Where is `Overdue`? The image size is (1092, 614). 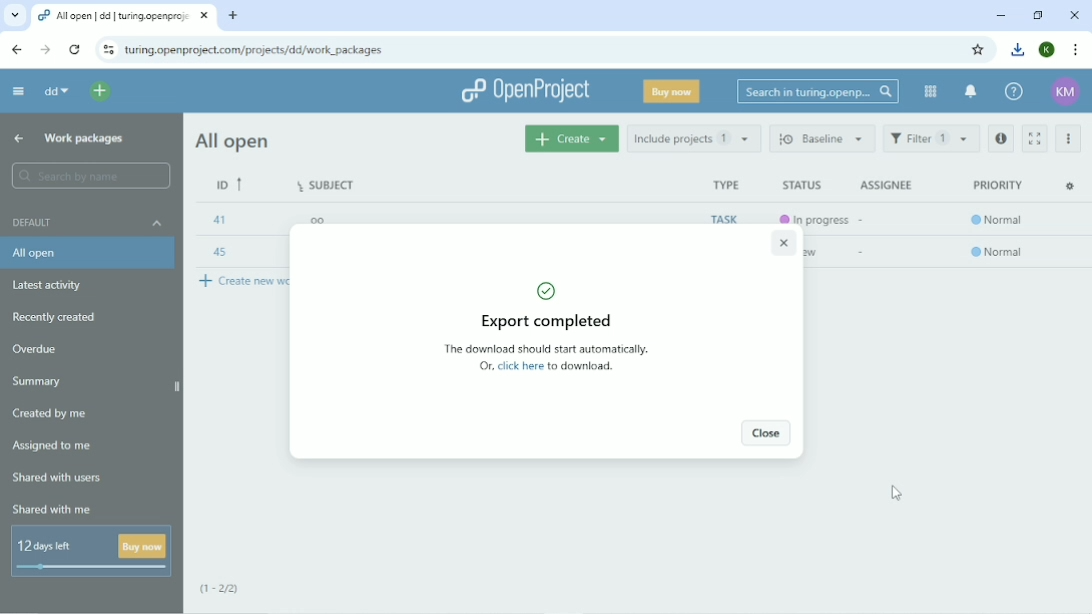 Overdue is located at coordinates (35, 349).